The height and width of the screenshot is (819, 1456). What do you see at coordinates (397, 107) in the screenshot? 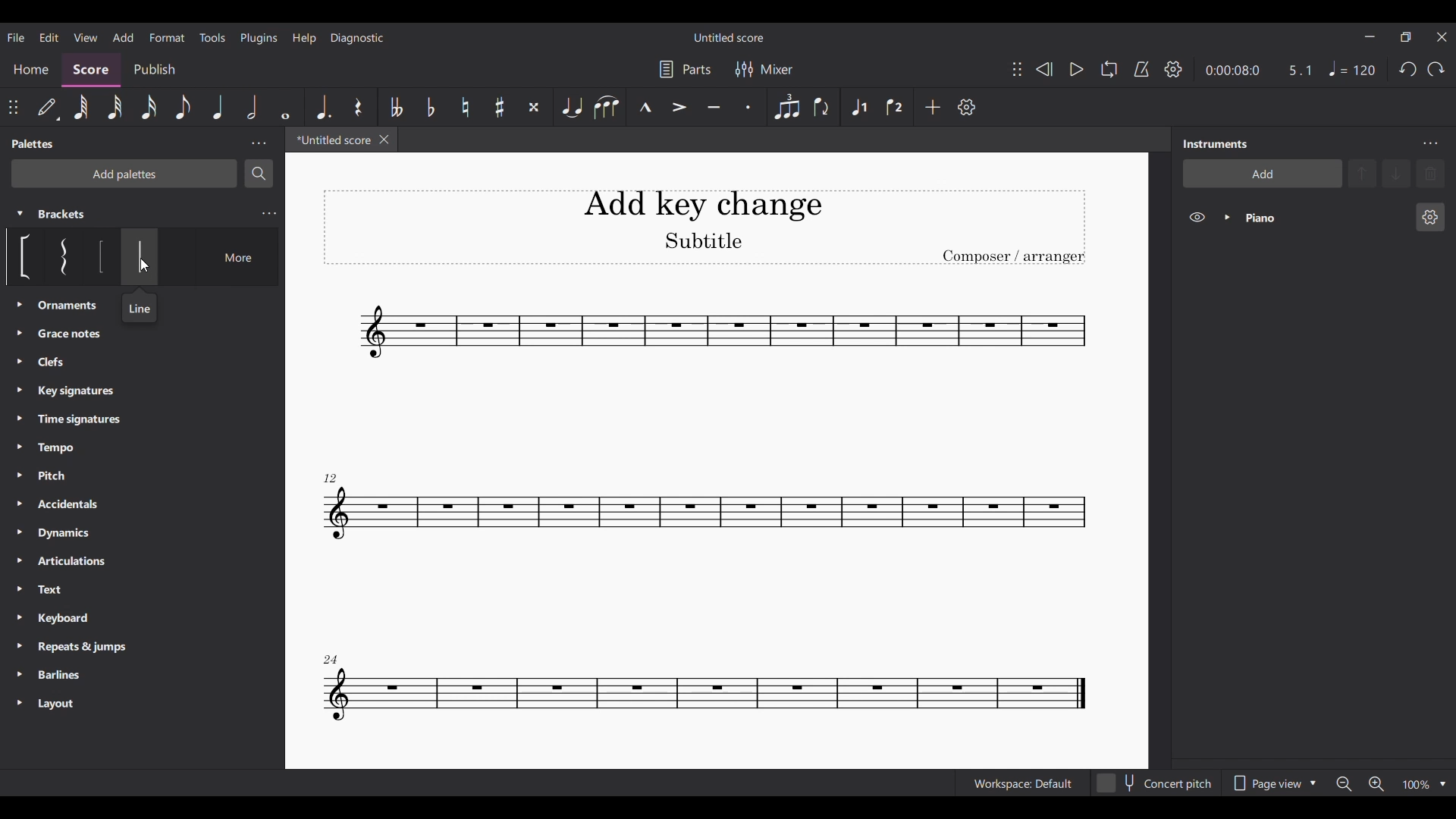
I see `Toggle double flat` at bounding box center [397, 107].